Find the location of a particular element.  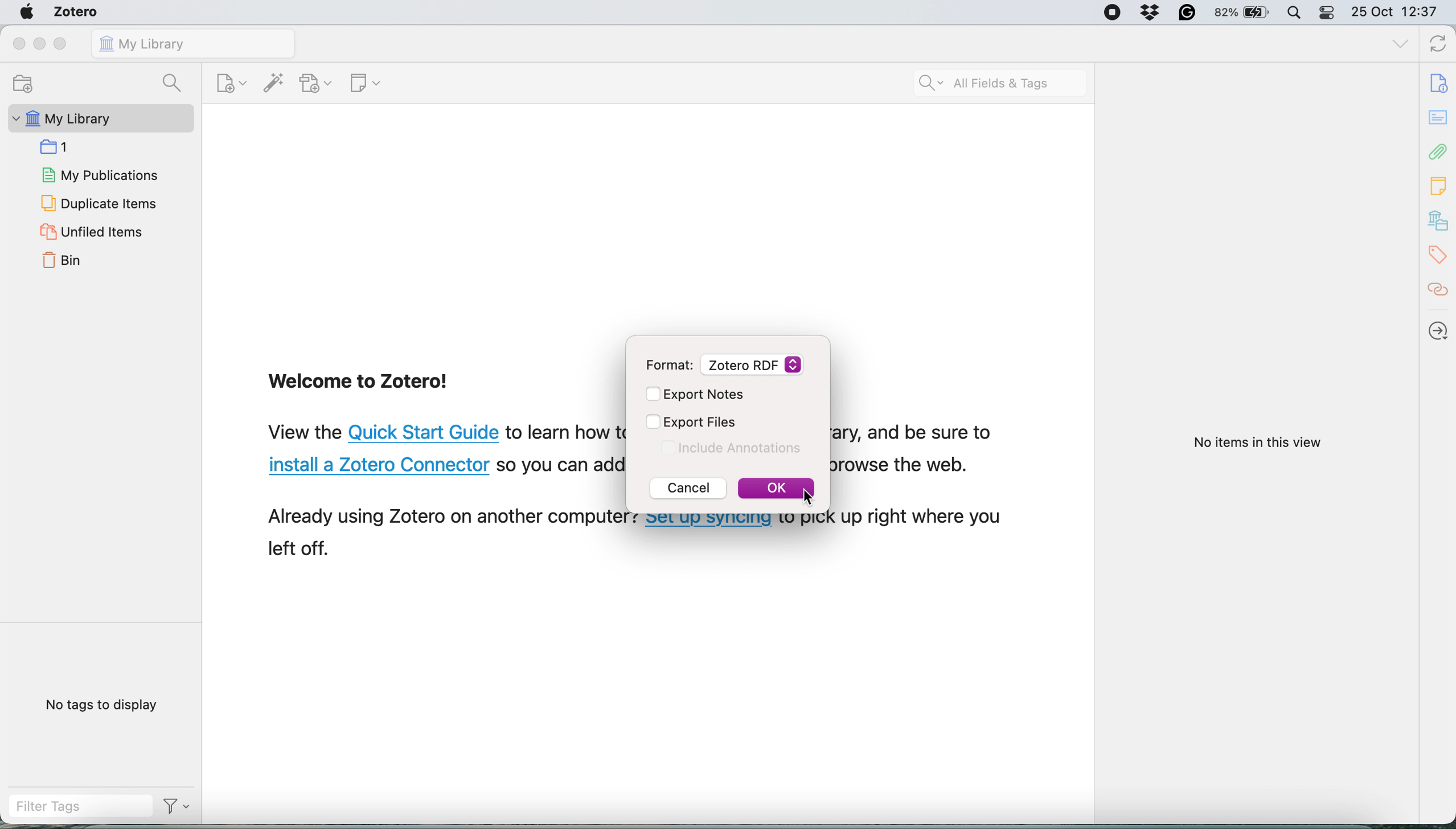

list all tabs is located at coordinates (1400, 44).